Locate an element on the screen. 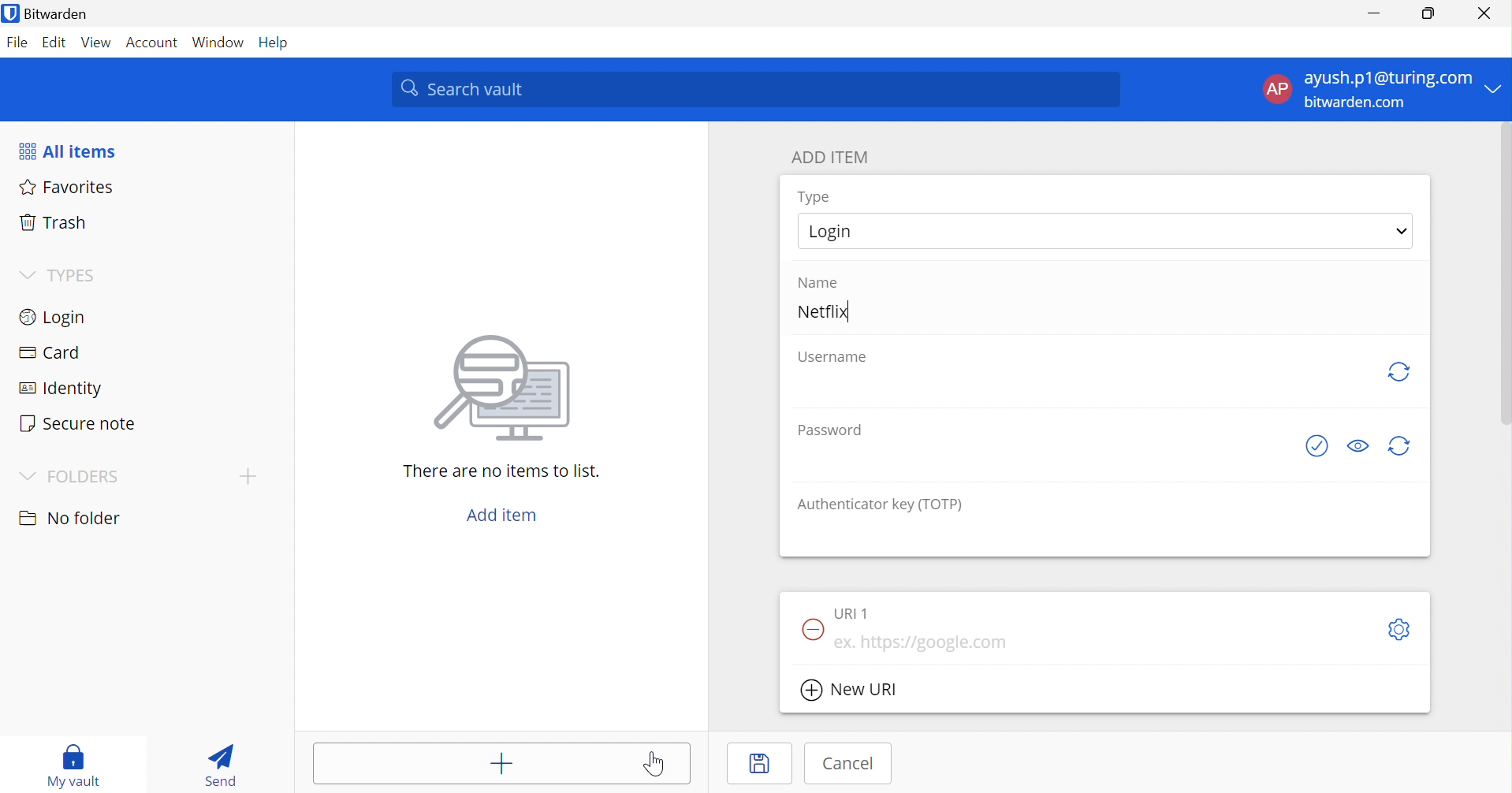 The height and width of the screenshot is (793, 1512). Identity is located at coordinates (57, 387).